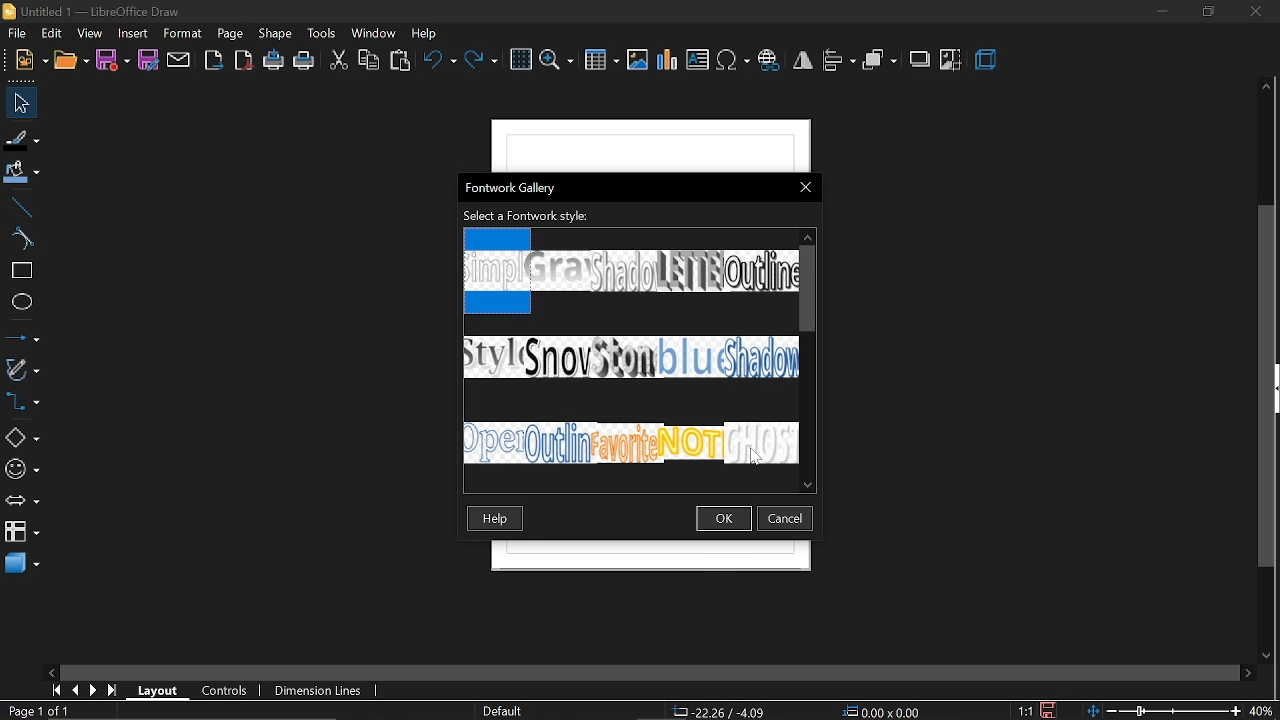  What do you see at coordinates (71, 691) in the screenshot?
I see `previous page` at bounding box center [71, 691].